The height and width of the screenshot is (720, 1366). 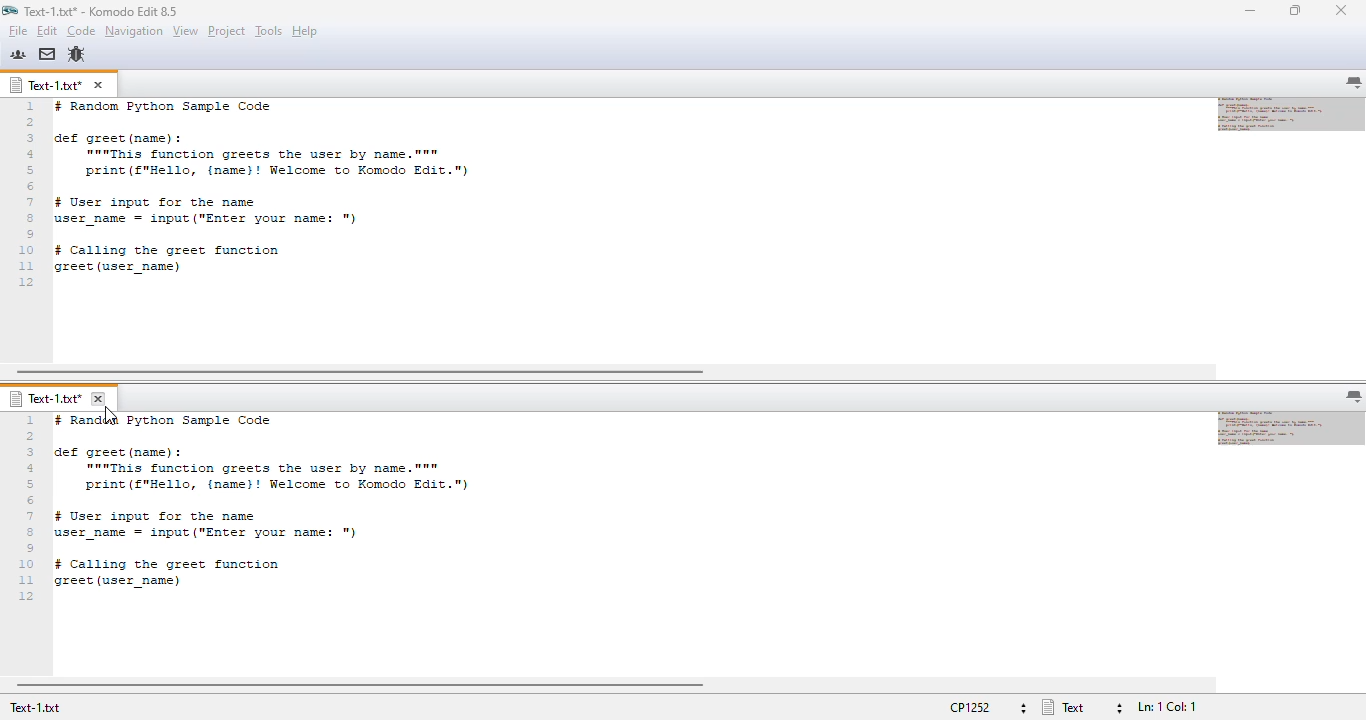 What do you see at coordinates (98, 86) in the screenshot?
I see `close tab` at bounding box center [98, 86].